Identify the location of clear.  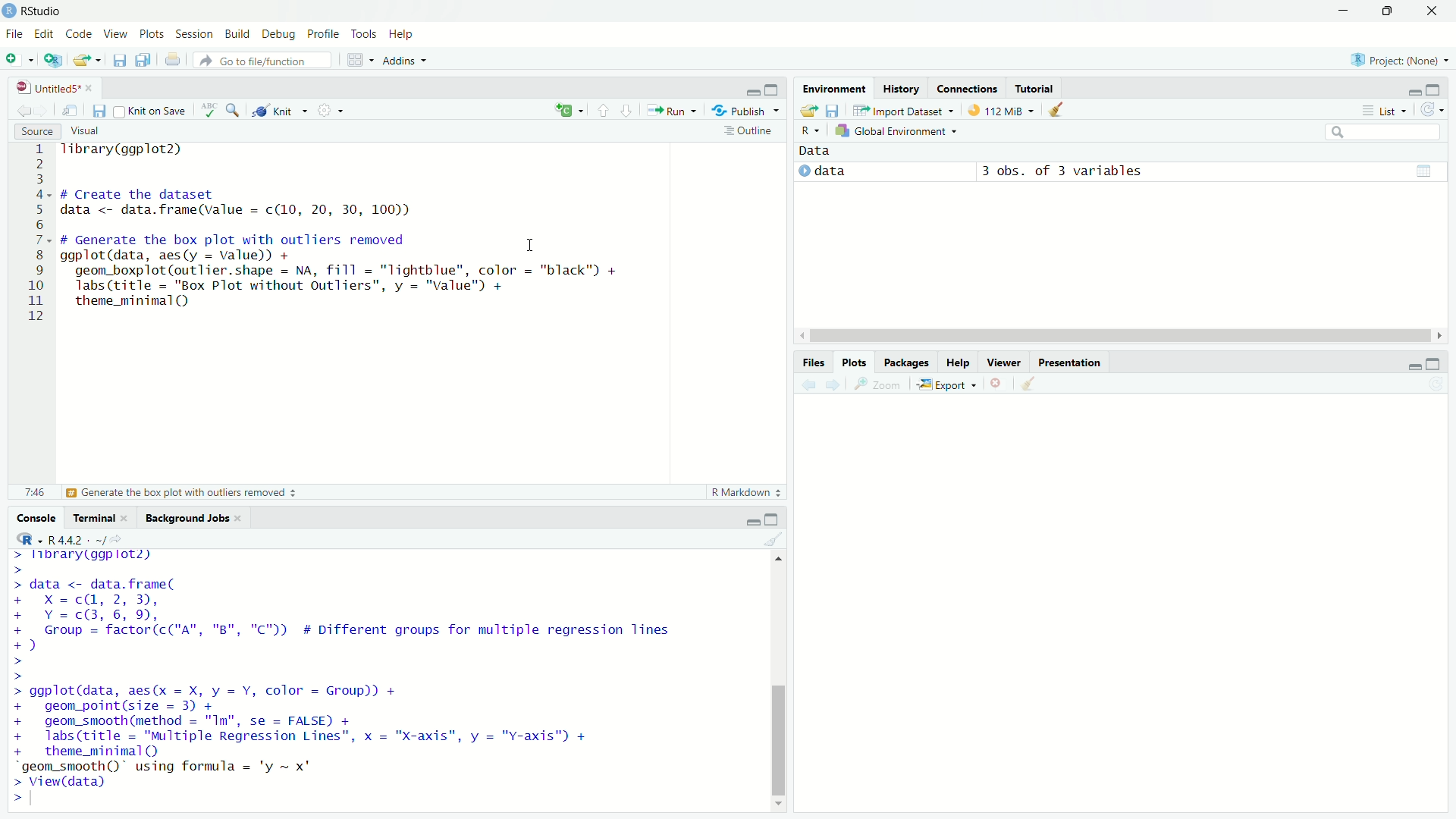
(1023, 382).